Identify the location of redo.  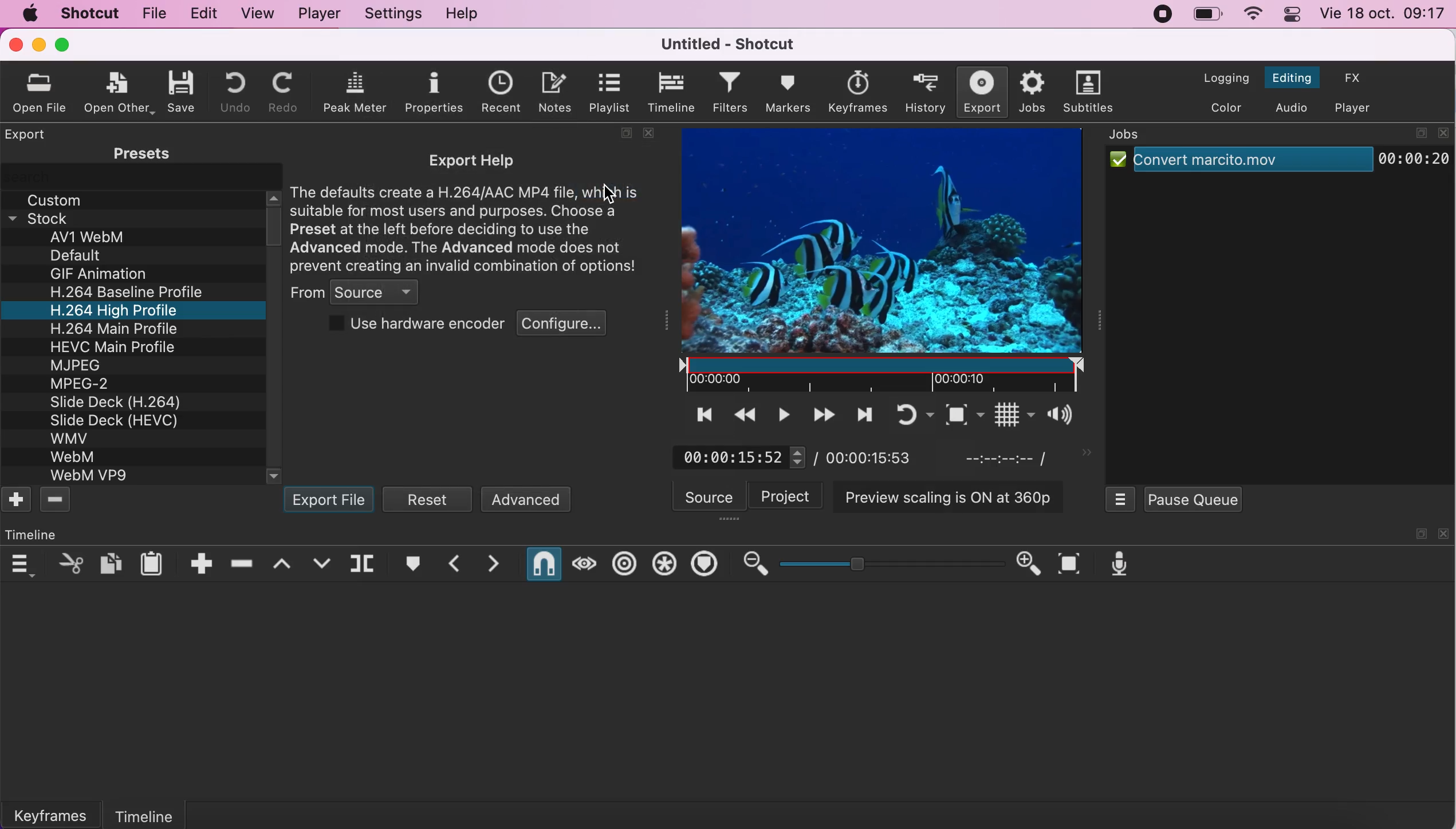
(283, 92).